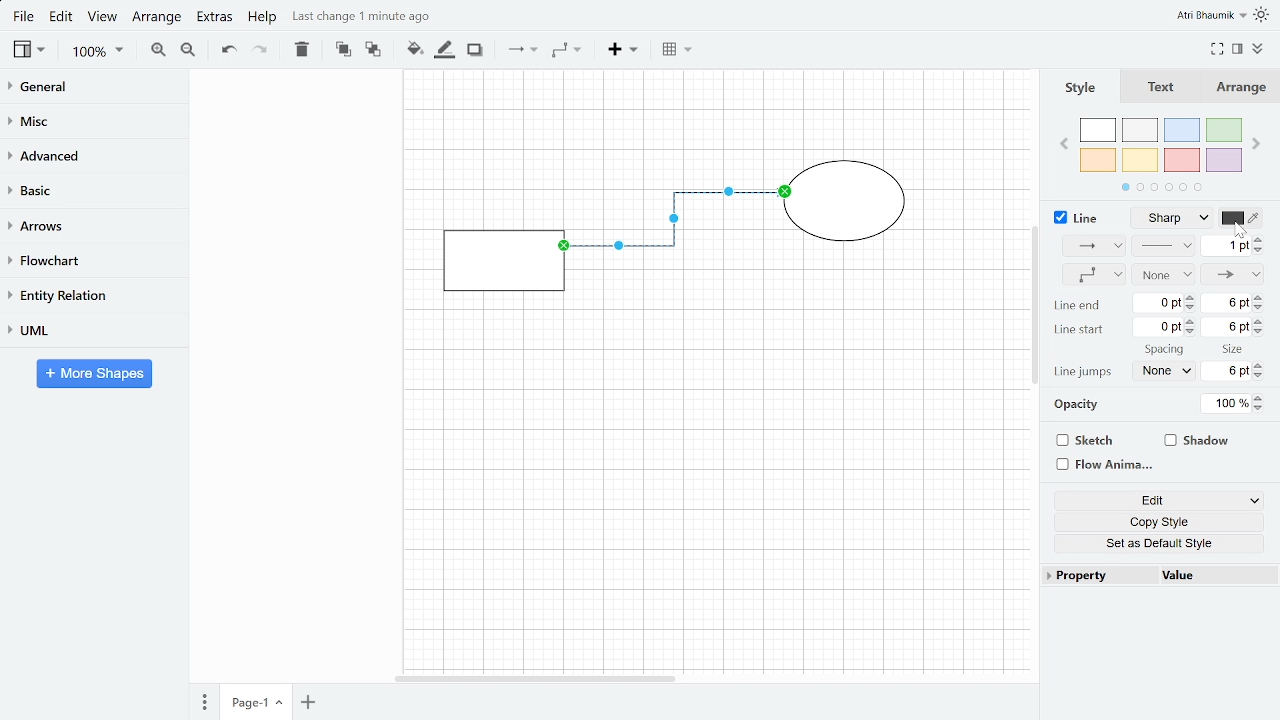 The width and height of the screenshot is (1280, 720). Describe the element at coordinates (1257, 145) in the screenshot. I see `Next` at that location.